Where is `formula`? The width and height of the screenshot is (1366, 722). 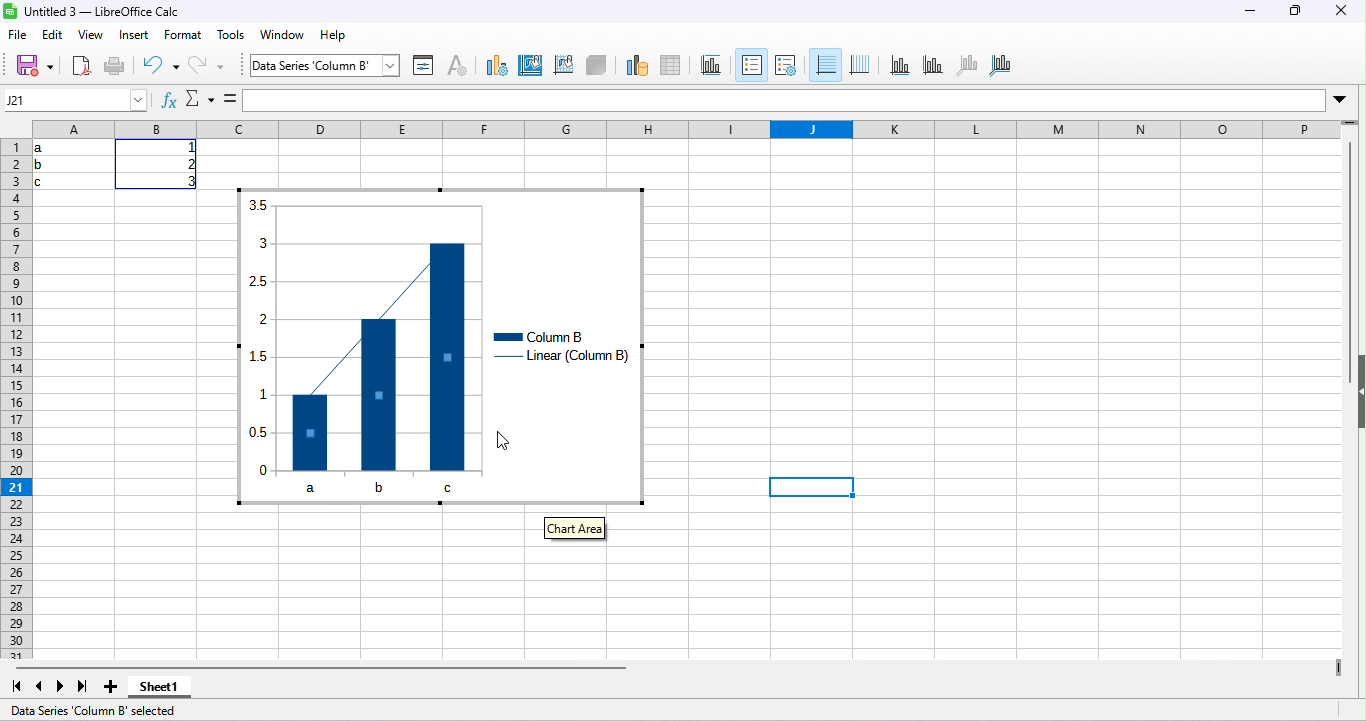 formula is located at coordinates (228, 96).